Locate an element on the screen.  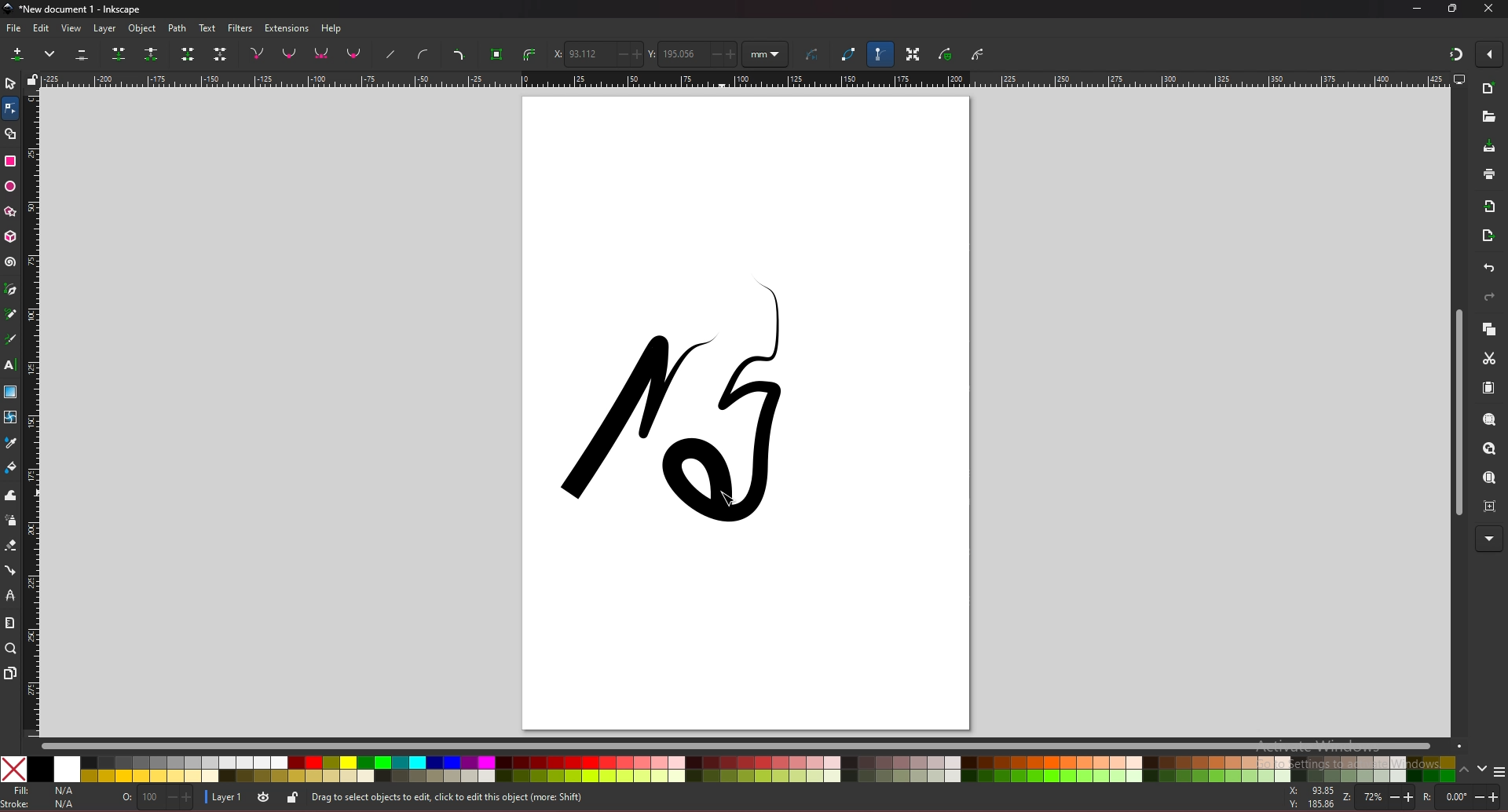
save is located at coordinates (1489, 146).